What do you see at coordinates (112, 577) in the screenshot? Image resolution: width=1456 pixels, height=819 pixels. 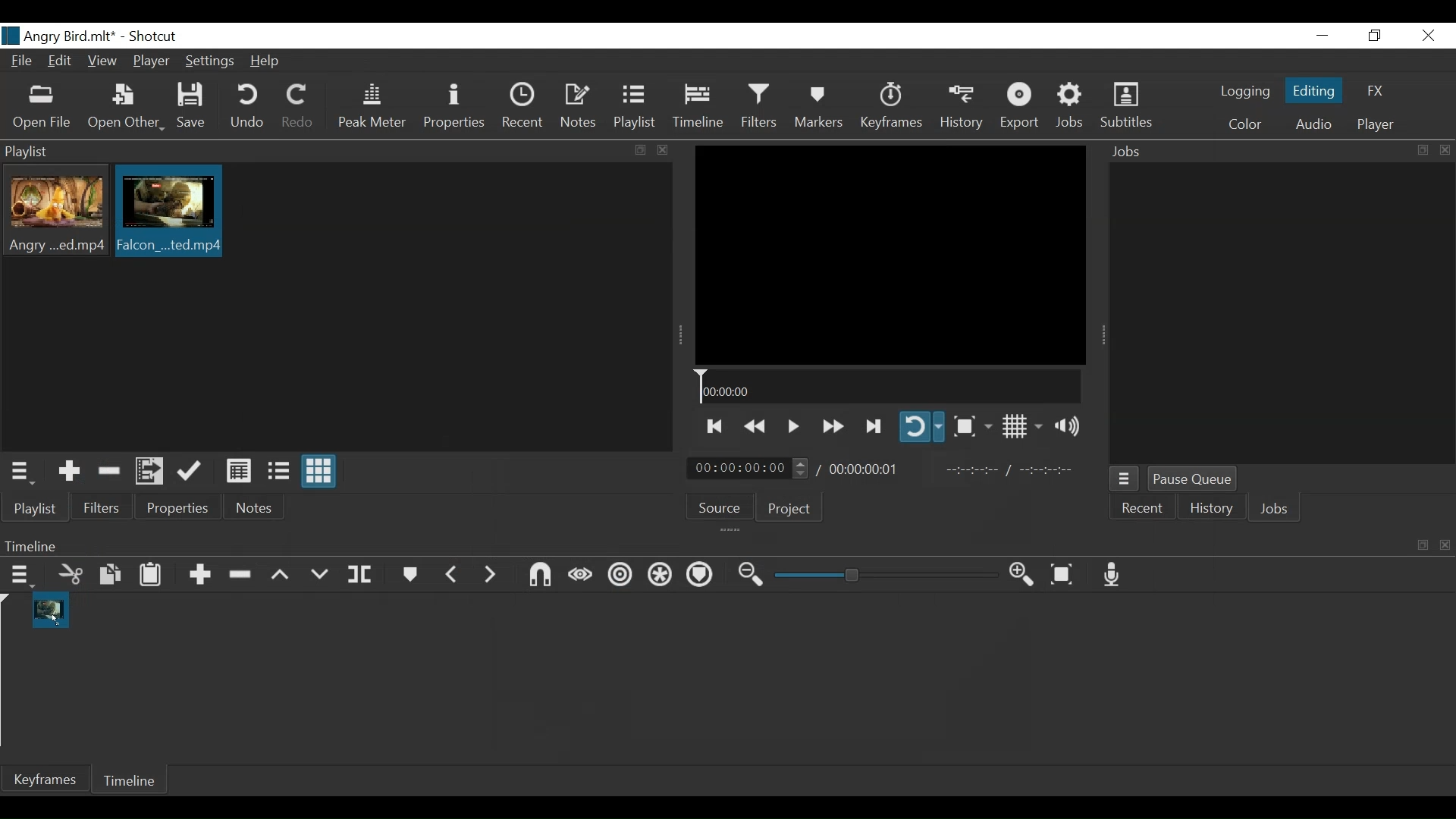 I see `Copy` at bounding box center [112, 577].